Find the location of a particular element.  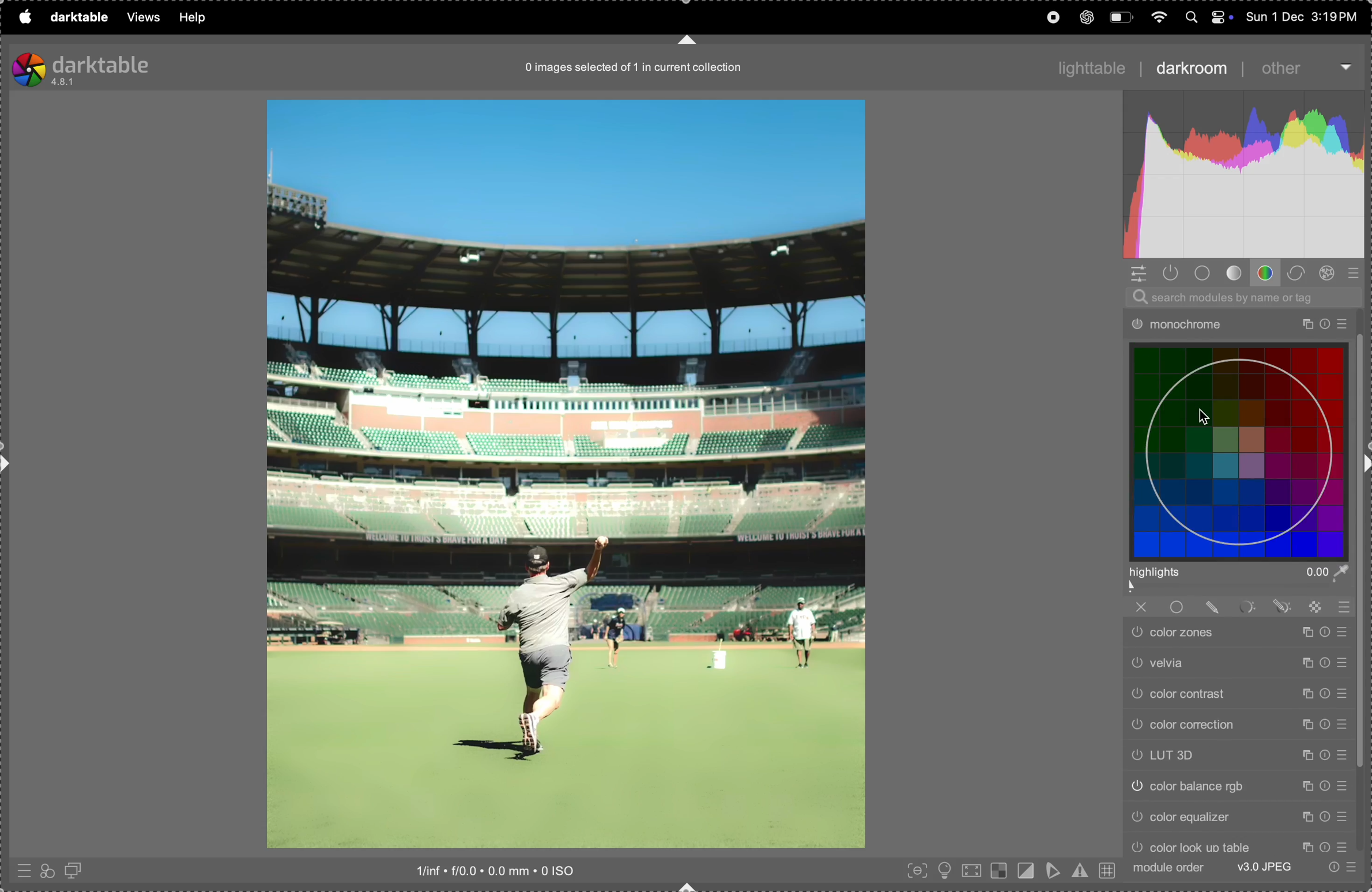

 is located at coordinates (685, 38).